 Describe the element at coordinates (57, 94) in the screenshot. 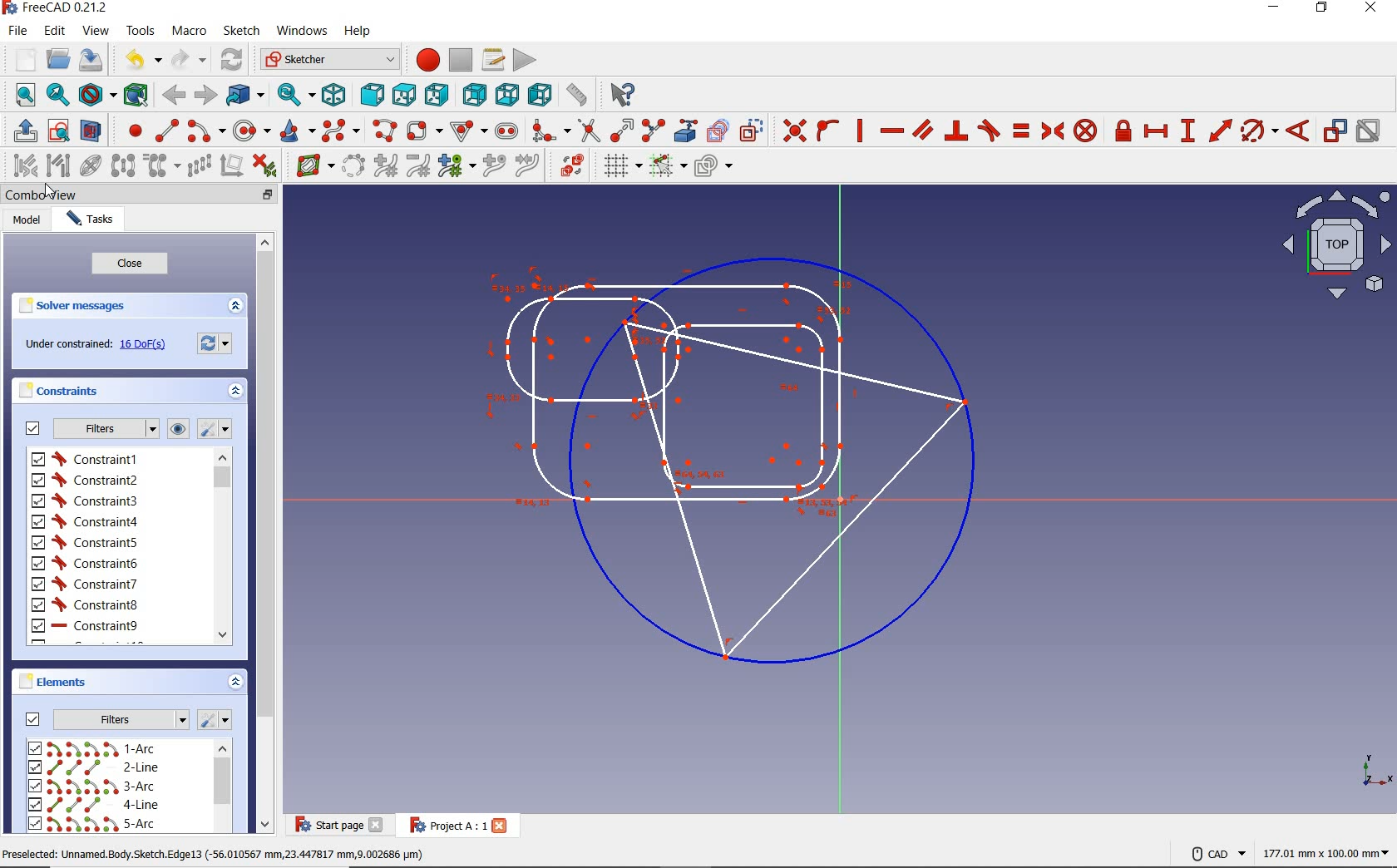

I see `fit selection` at that location.